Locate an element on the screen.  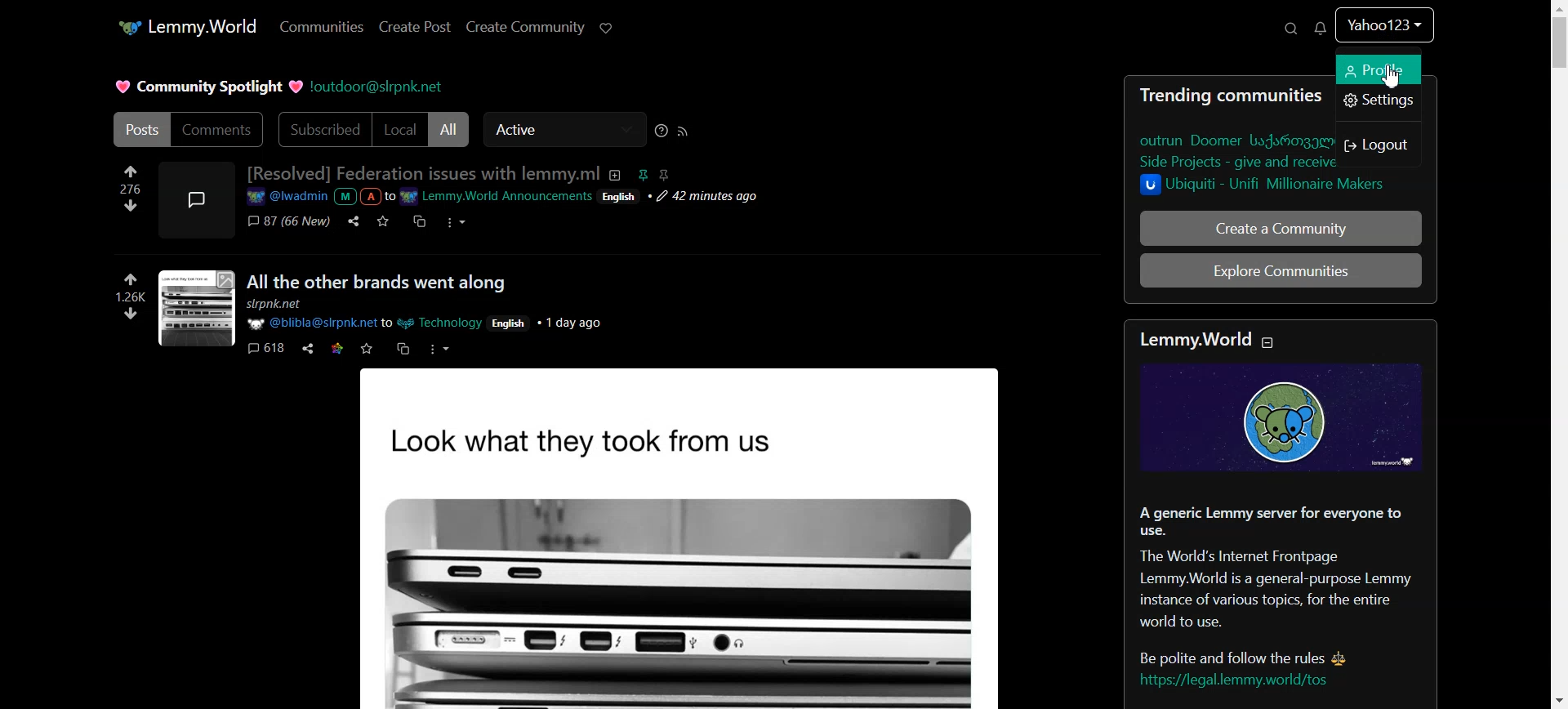
Explore Communities is located at coordinates (1281, 270).